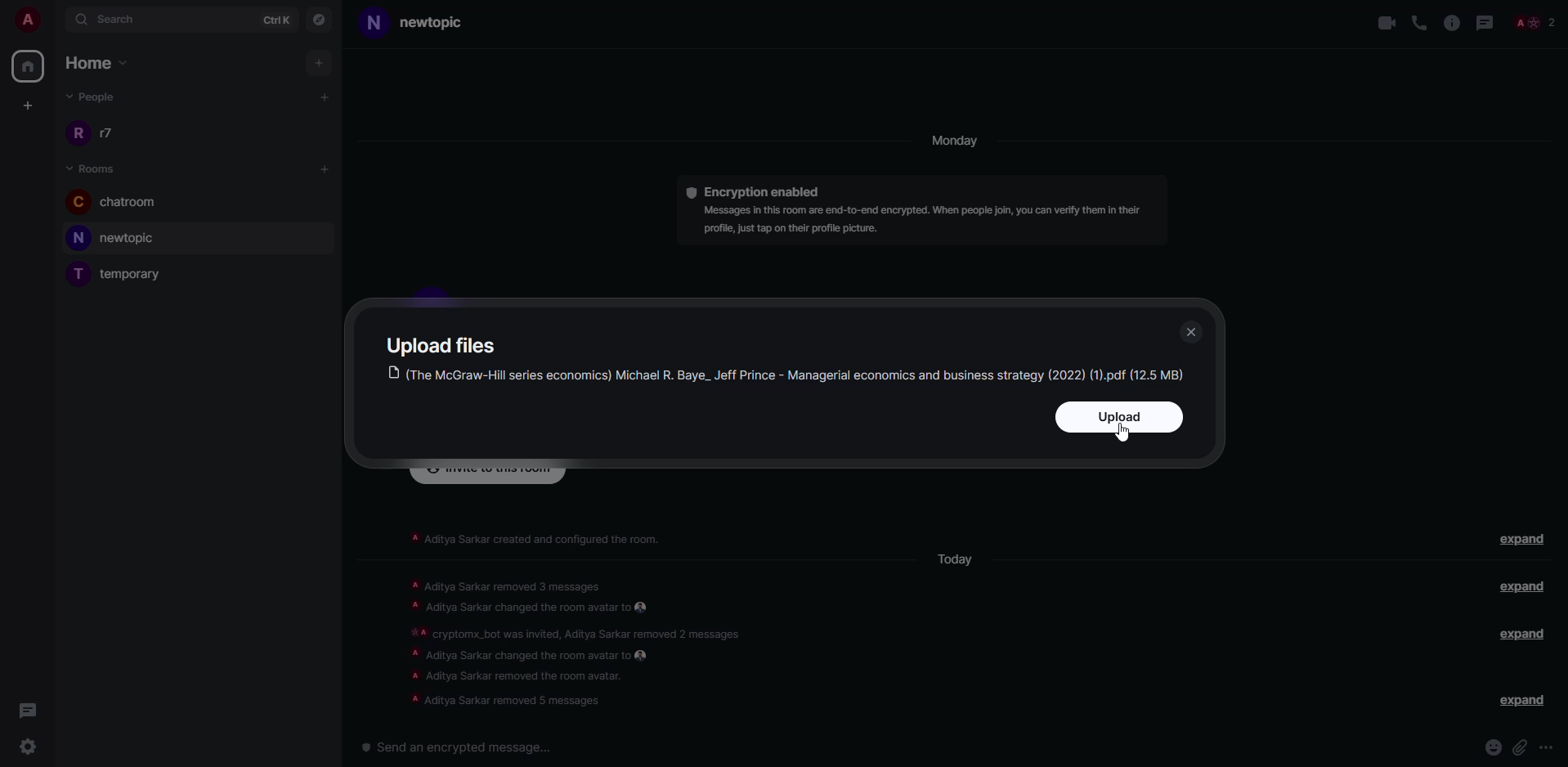 The image size is (1568, 767). What do you see at coordinates (1488, 22) in the screenshot?
I see `threads` at bounding box center [1488, 22].